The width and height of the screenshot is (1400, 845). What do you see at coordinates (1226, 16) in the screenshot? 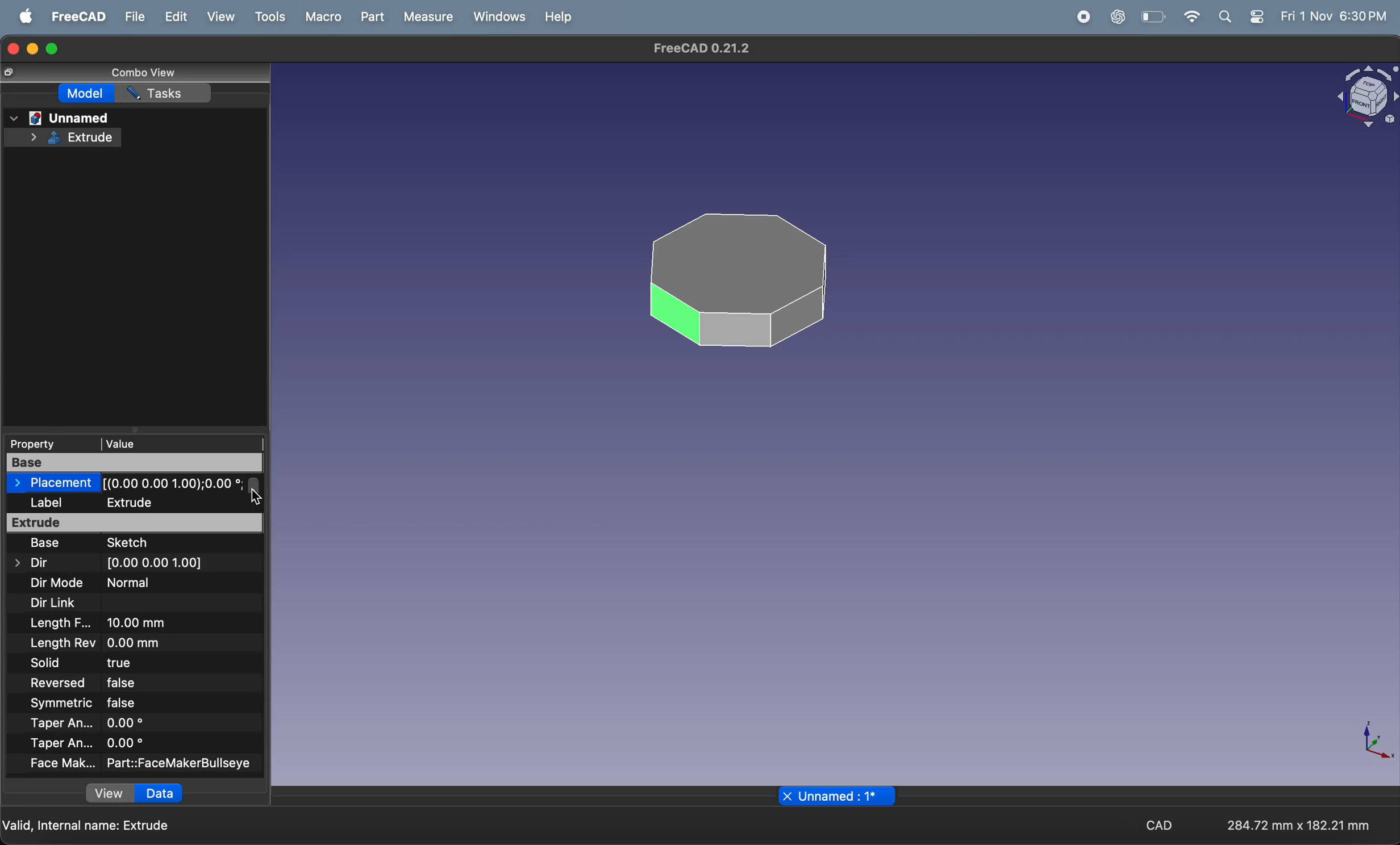
I see `search` at bounding box center [1226, 16].